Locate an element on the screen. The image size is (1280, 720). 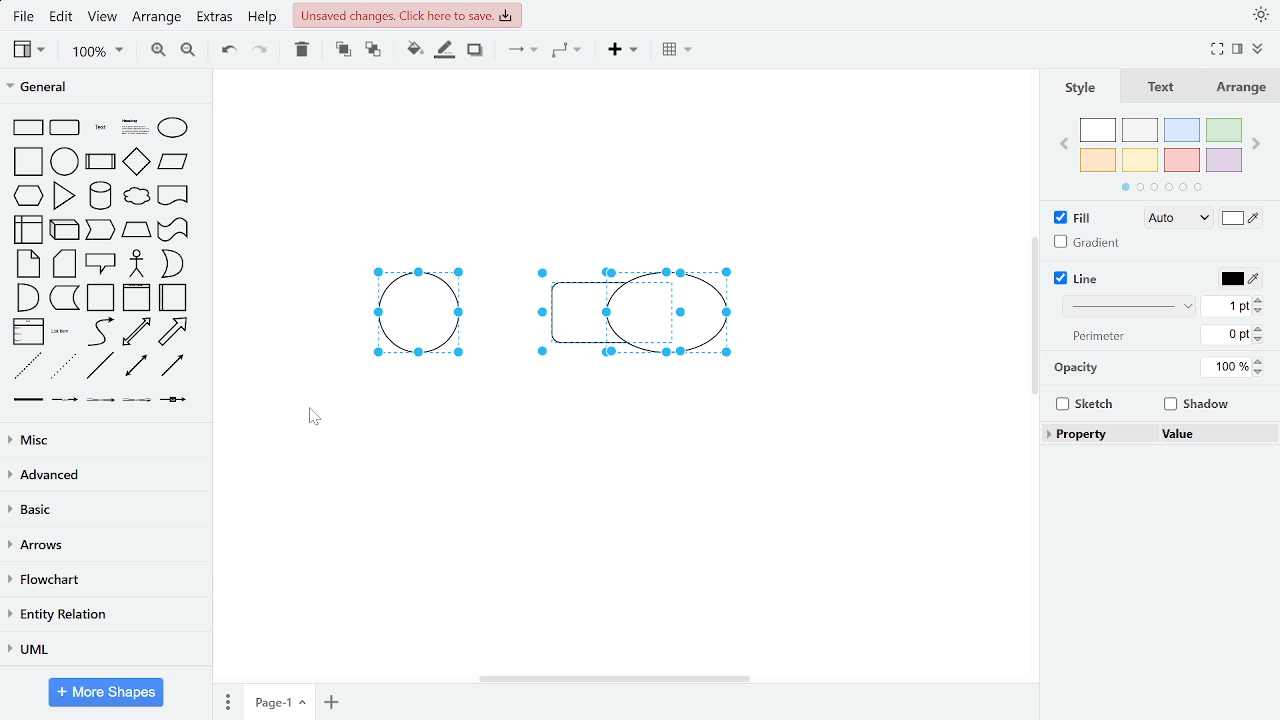
unsaved changes. Click here to save is located at coordinates (407, 15).